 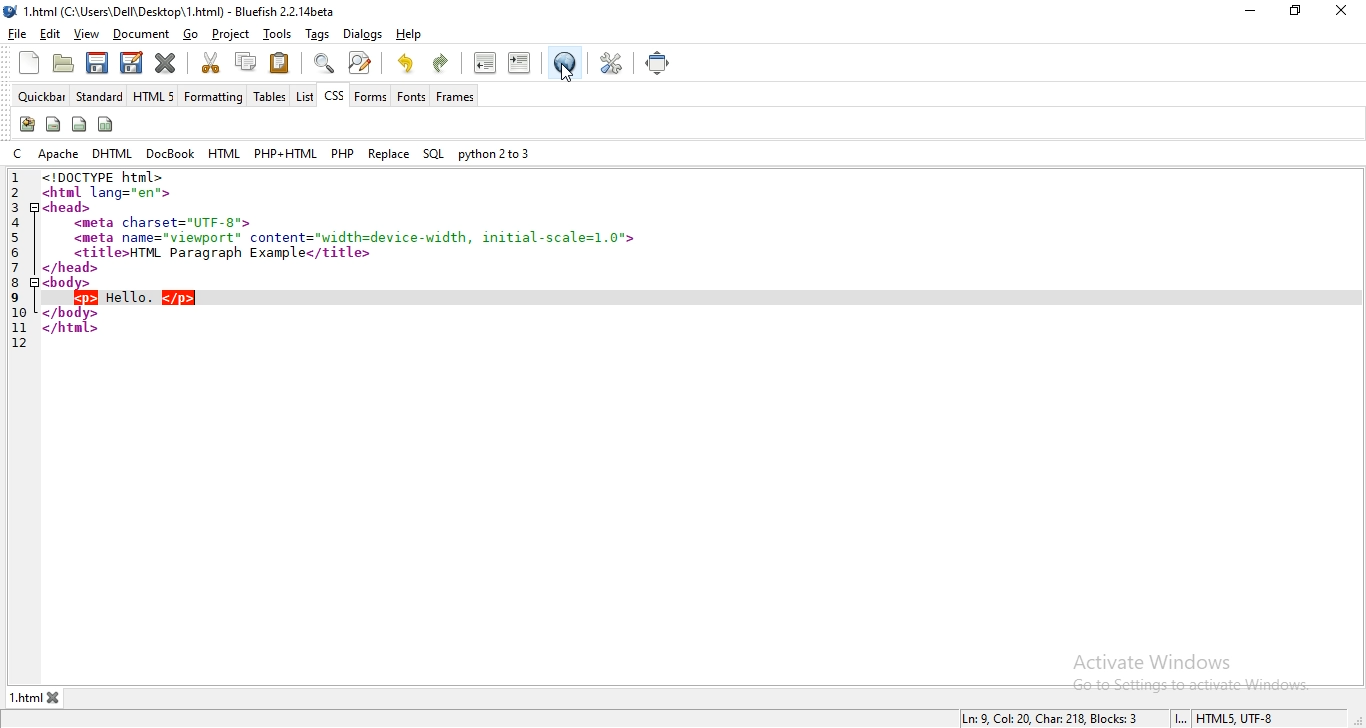 What do you see at coordinates (1293, 11) in the screenshot?
I see `restore windows` at bounding box center [1293, 11].